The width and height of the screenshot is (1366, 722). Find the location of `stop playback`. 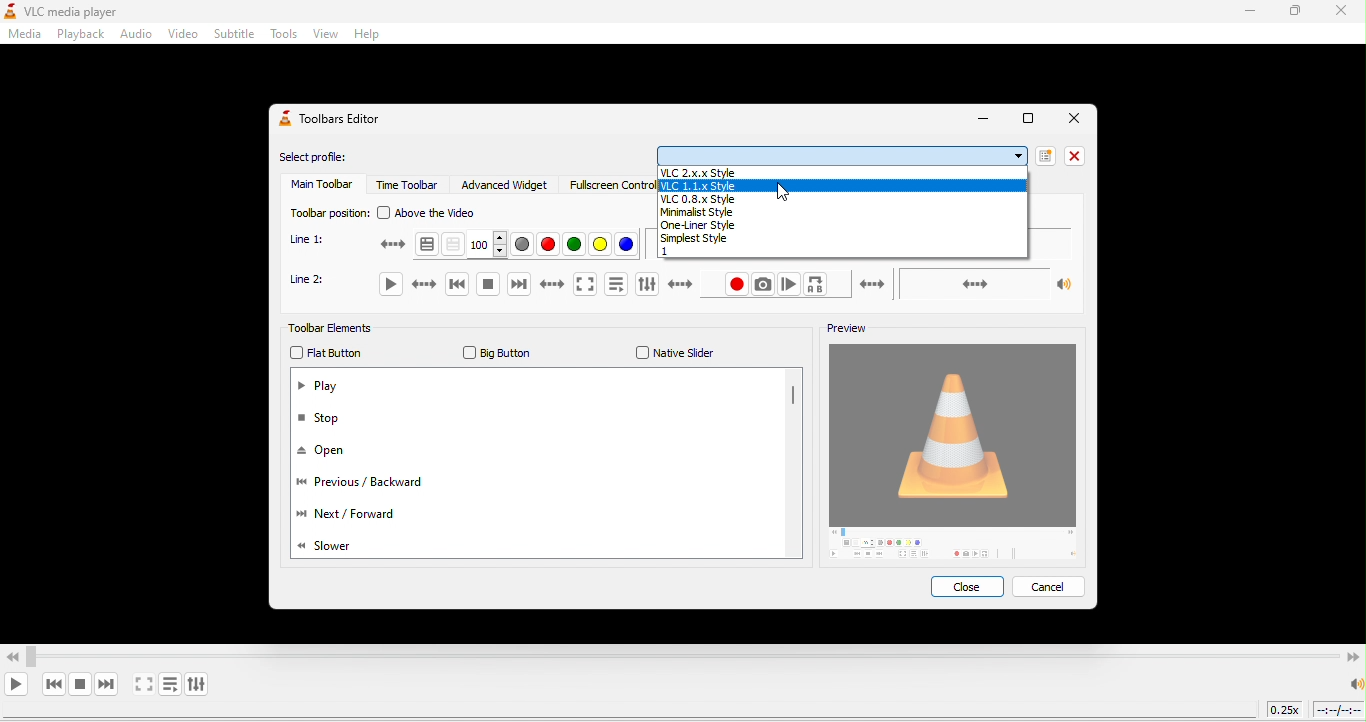

stop playback is located at coordinates (79, 684).